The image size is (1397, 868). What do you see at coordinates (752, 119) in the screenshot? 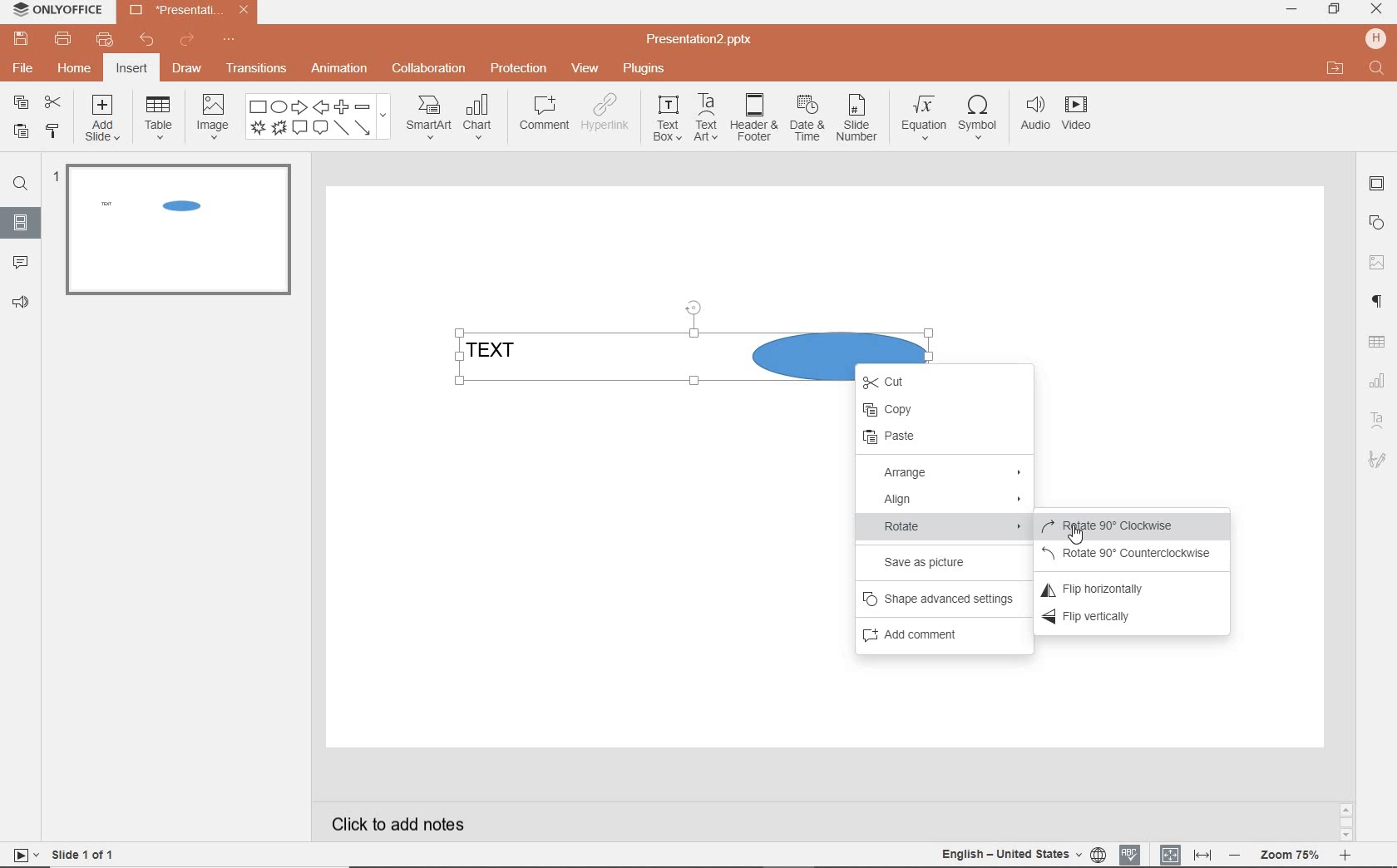
I see `header & footer` at bounding box center [752, 119].